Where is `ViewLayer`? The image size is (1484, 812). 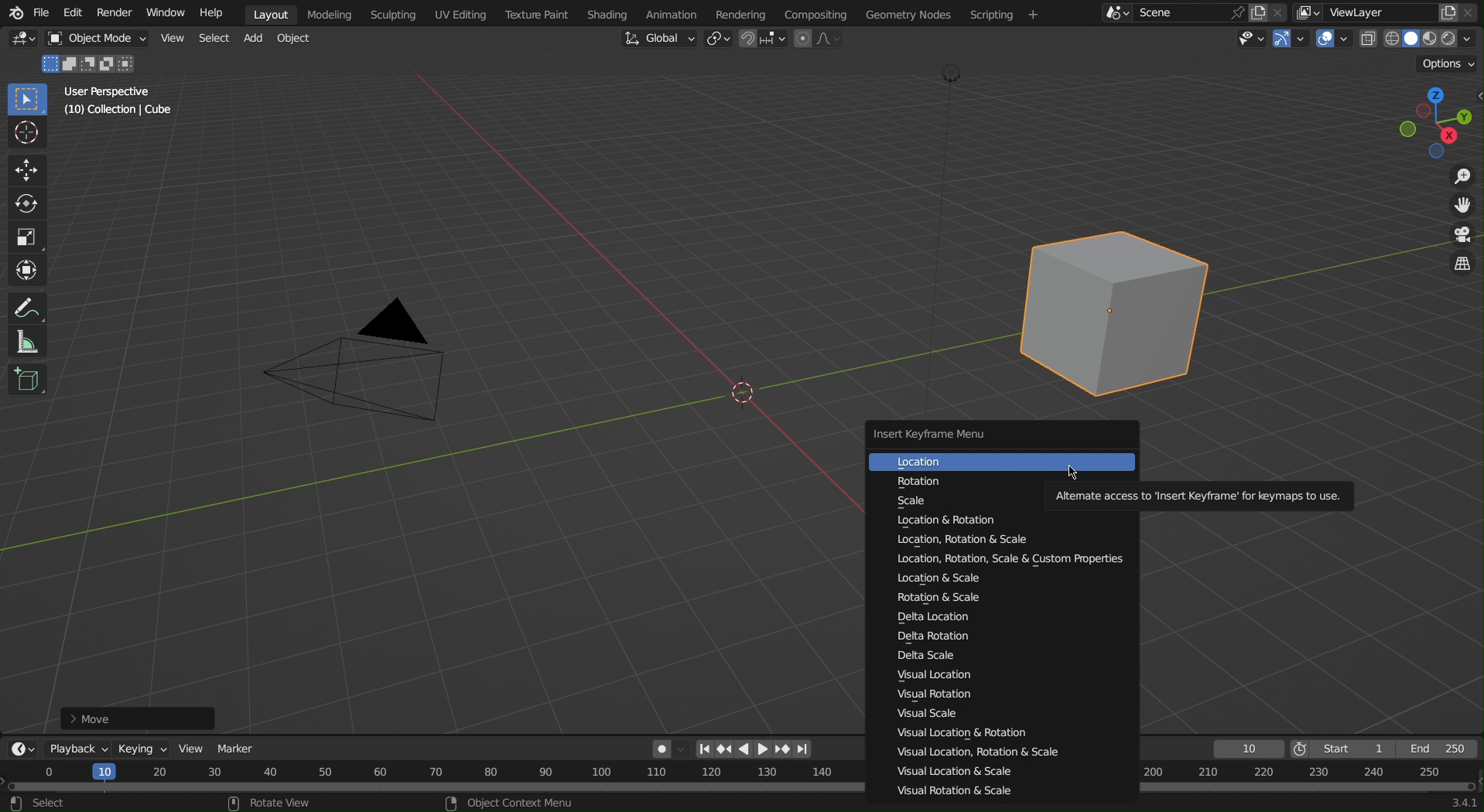
ViewLayer is located at coordinates (1369, 12).